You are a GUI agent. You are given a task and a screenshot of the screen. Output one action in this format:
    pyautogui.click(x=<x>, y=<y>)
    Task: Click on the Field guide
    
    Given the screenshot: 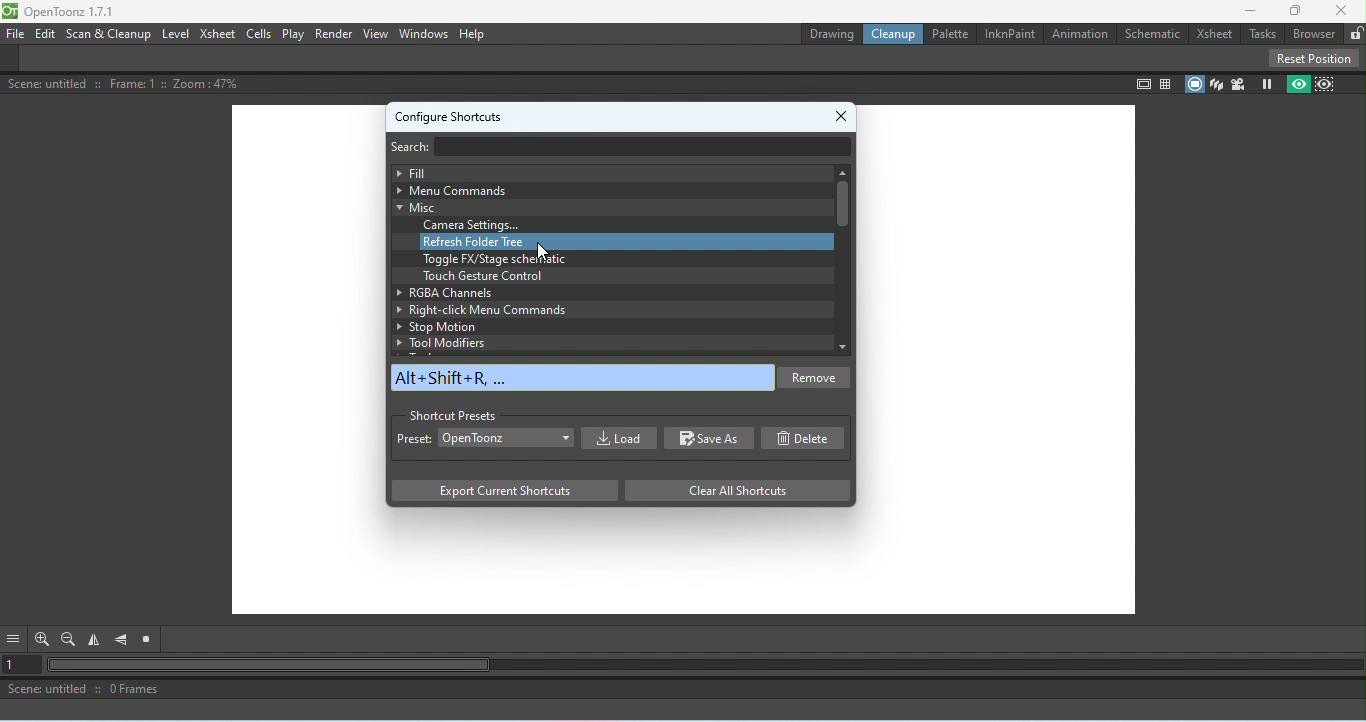 What is the action you would take?
    pyautogui.click(x=1166, y=83)
    